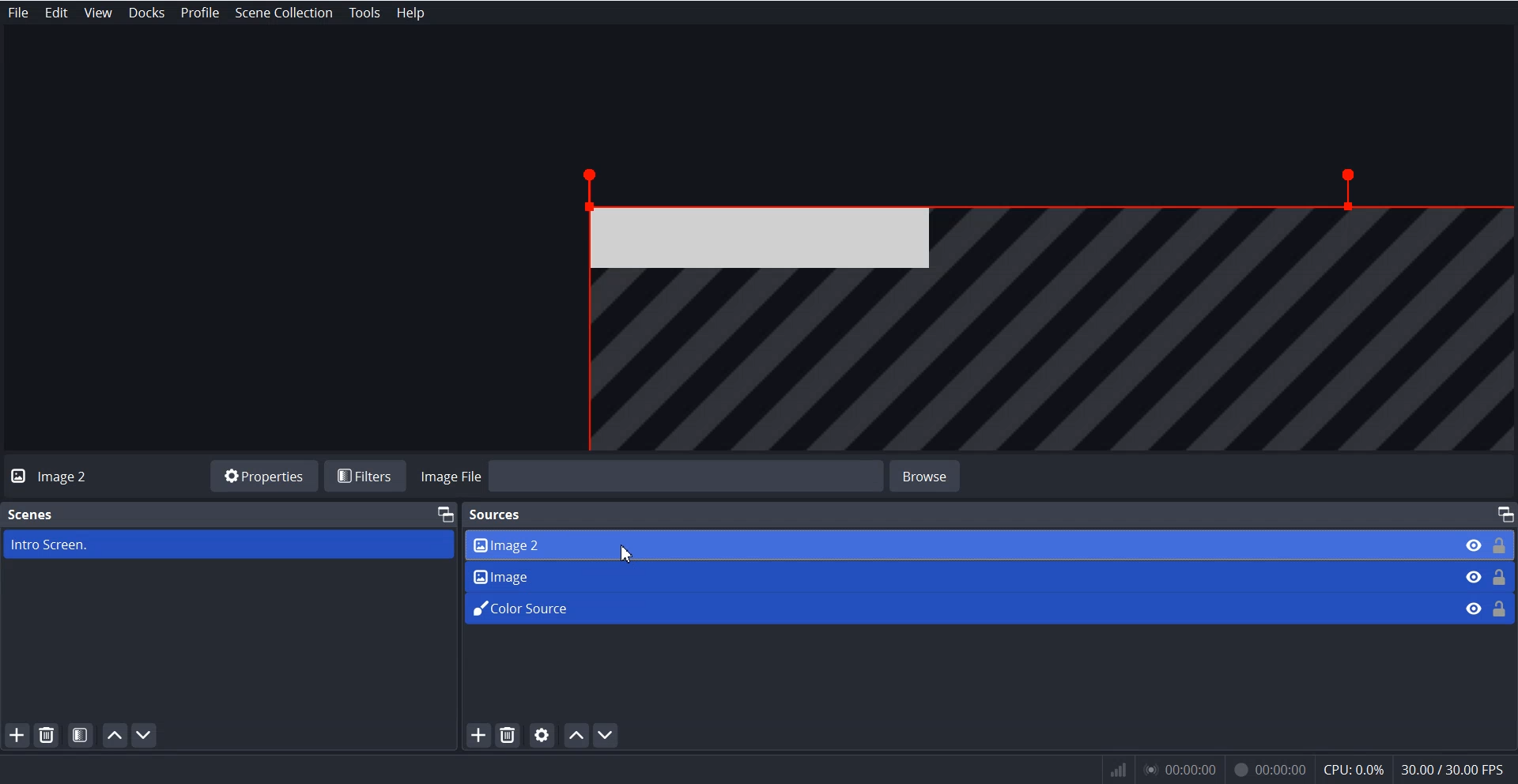 This screenshot has width=1518, height=784. Describe the element at coordinates (81, 734) in the screenshot. I see `Open scene Filters` at that location.